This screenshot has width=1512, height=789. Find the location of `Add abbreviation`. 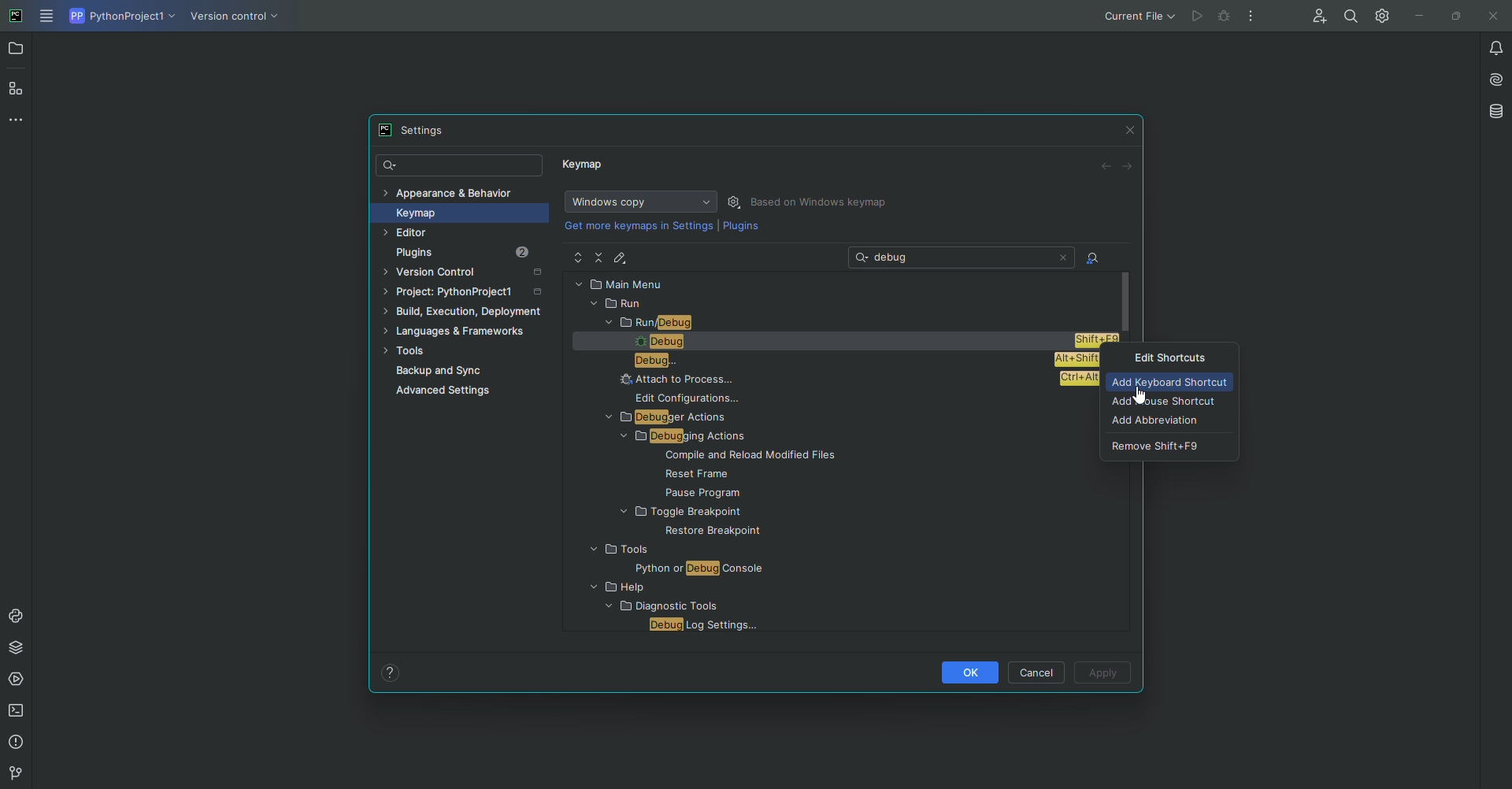

Add abbreviation is located at coordinates (1178, 420).